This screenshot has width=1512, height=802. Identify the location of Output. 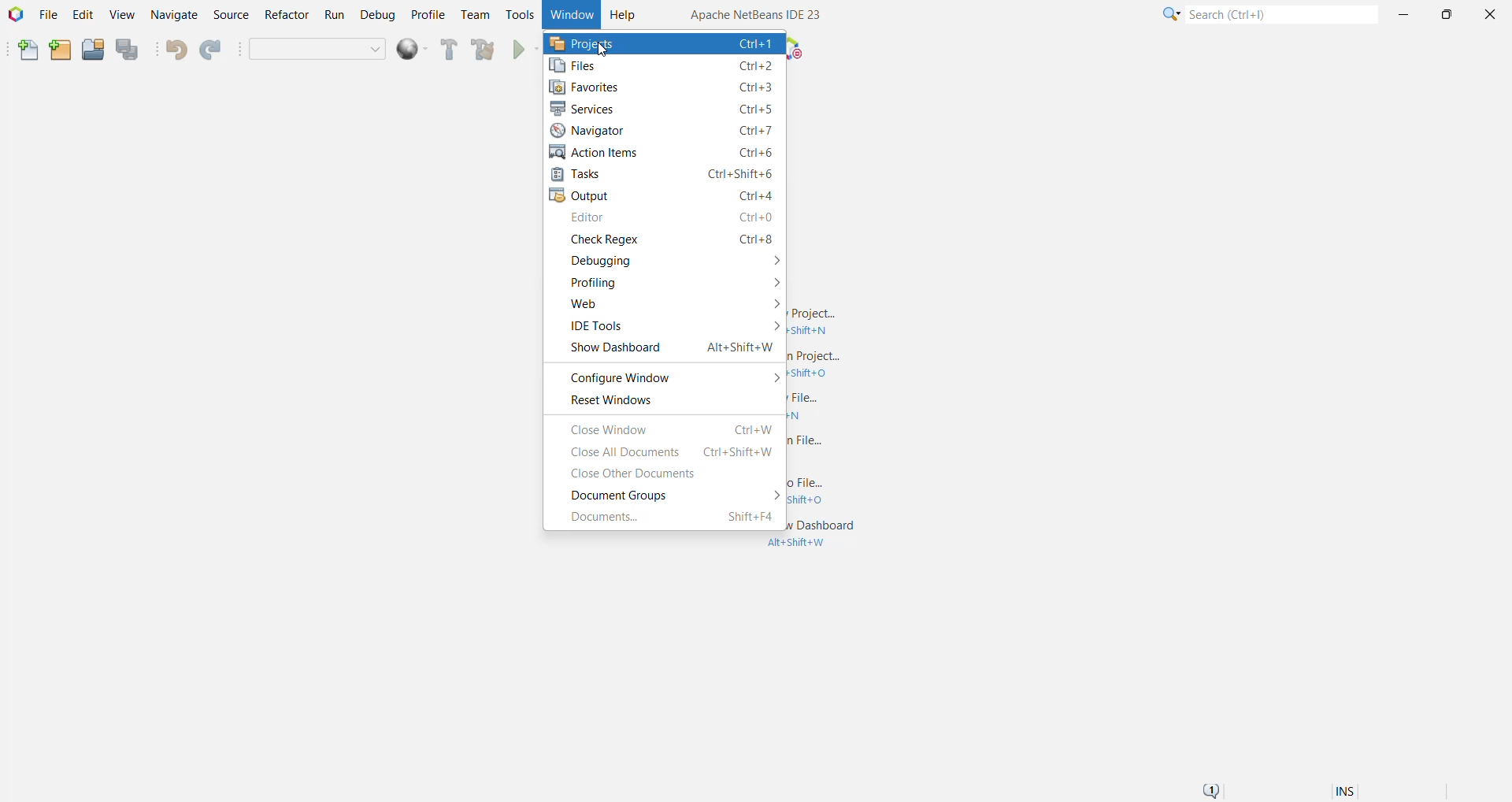
(666, 196).